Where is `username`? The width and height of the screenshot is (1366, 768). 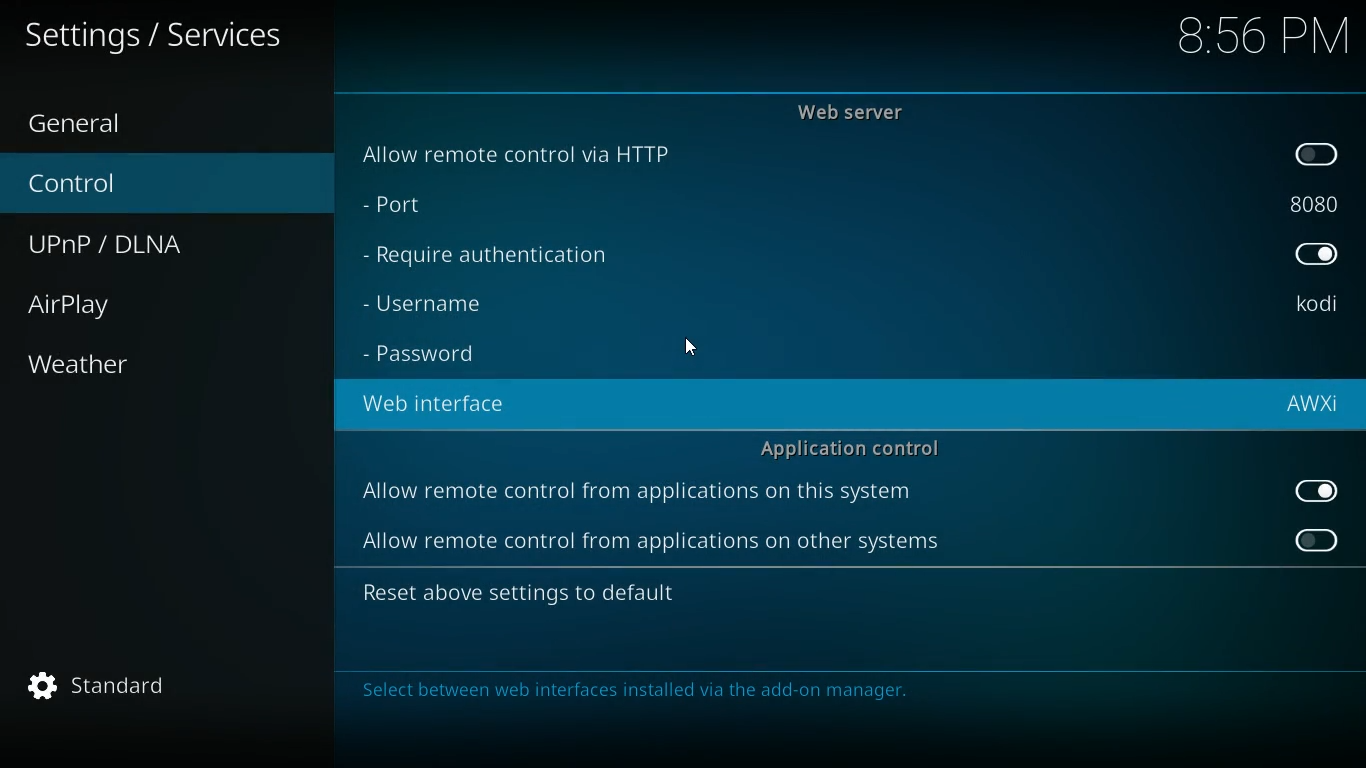
username is located at coordinates (1315, 305).